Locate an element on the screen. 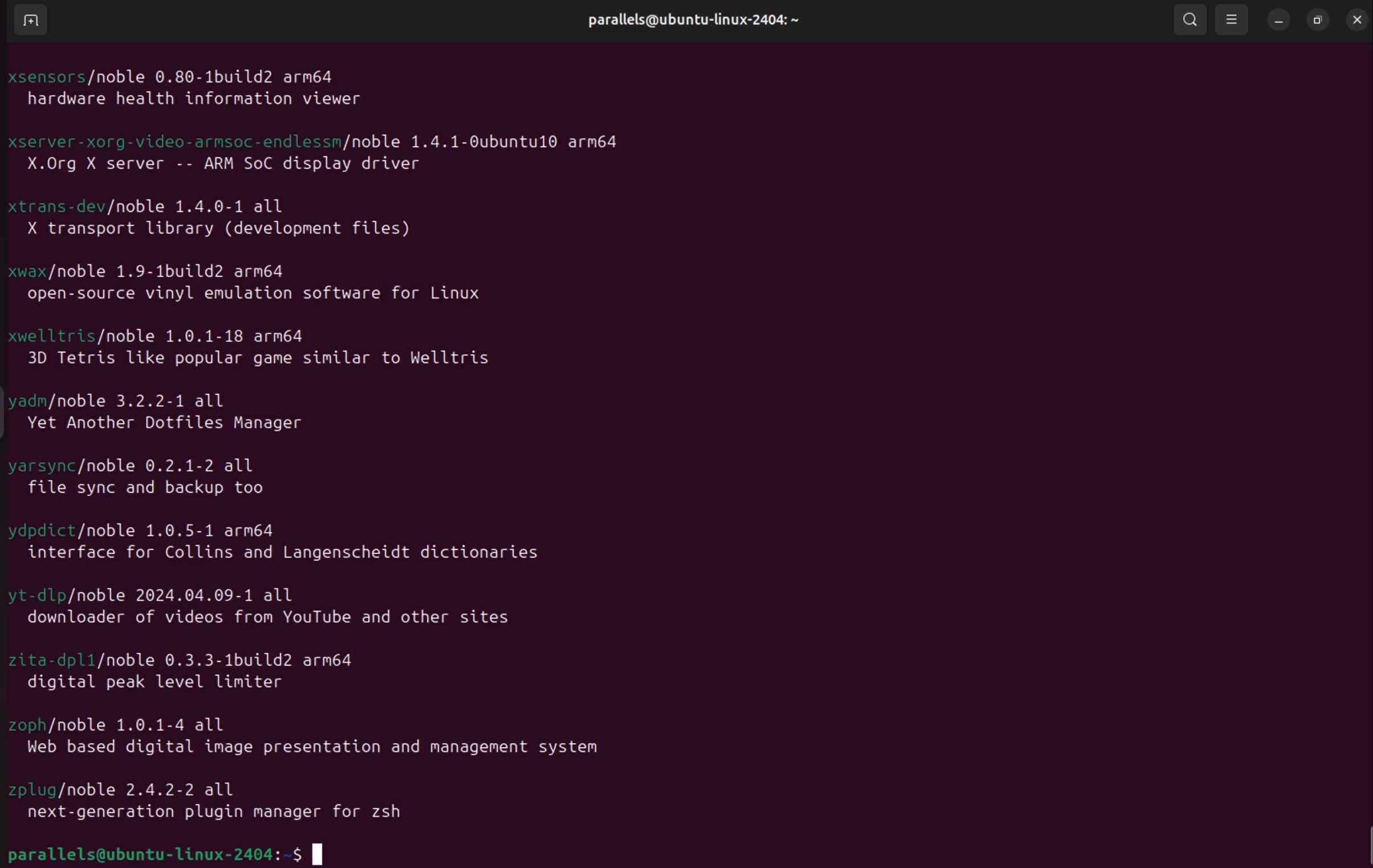 This screenshot has width=1373, height=868. zoph/noble 1.0.1-4 all
Web based digital image presentation and management system is located at coordinates (312, 739).